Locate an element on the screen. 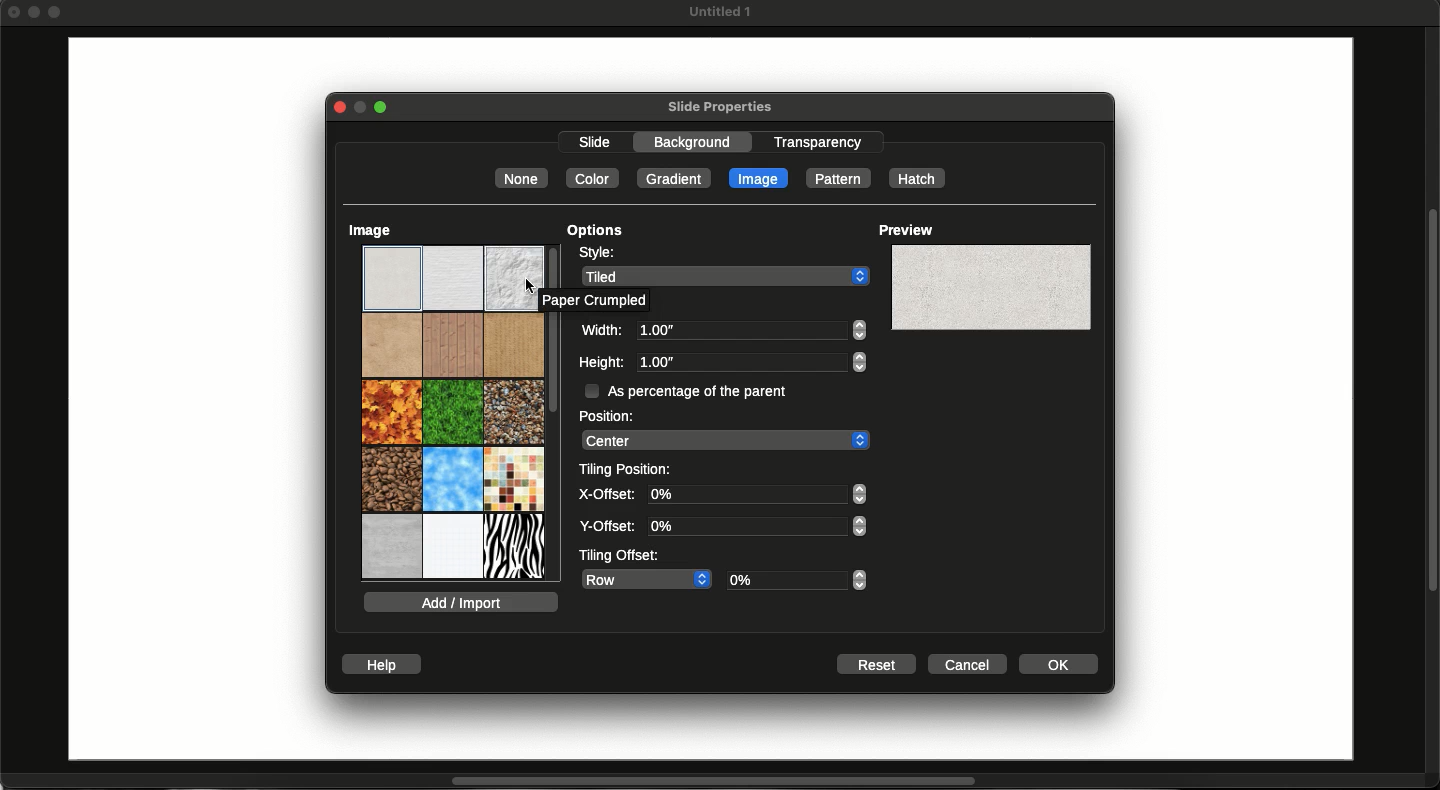  Help is located at coordinates (384, 665).